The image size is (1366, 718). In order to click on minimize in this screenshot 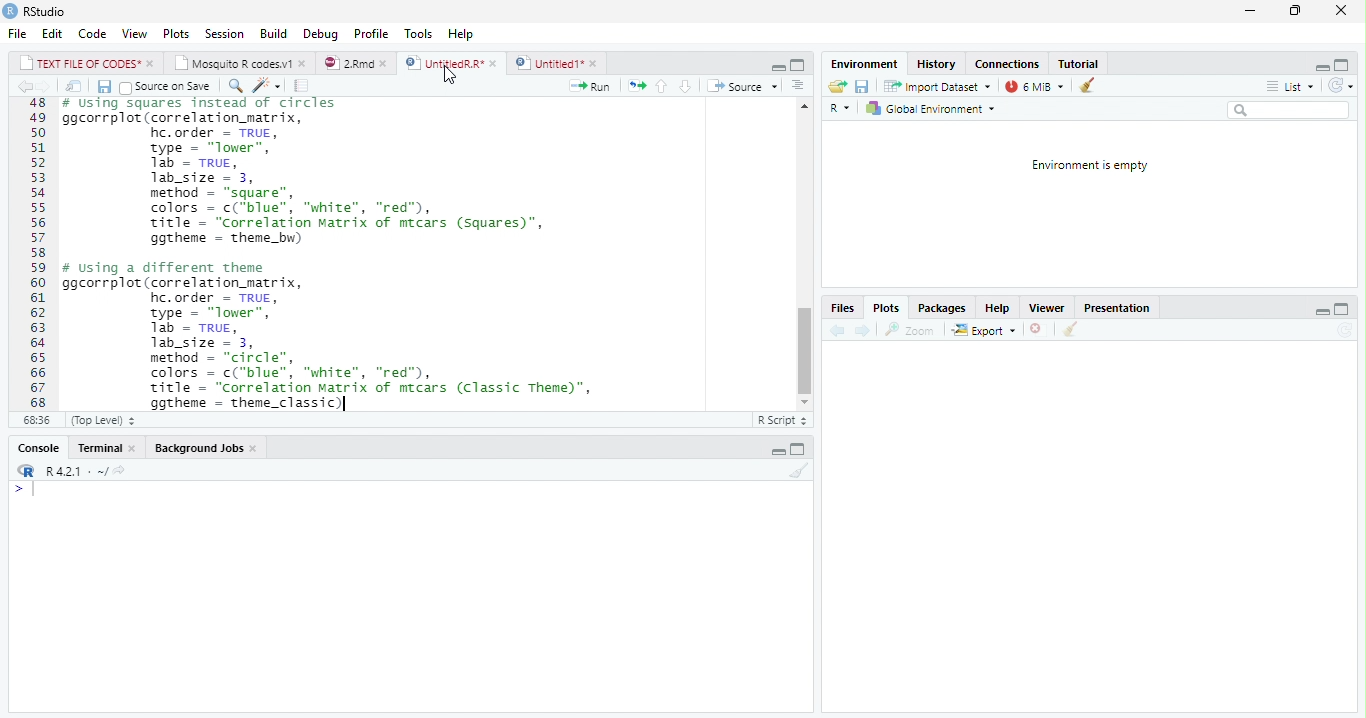, I will do `click(1249, 13)`.